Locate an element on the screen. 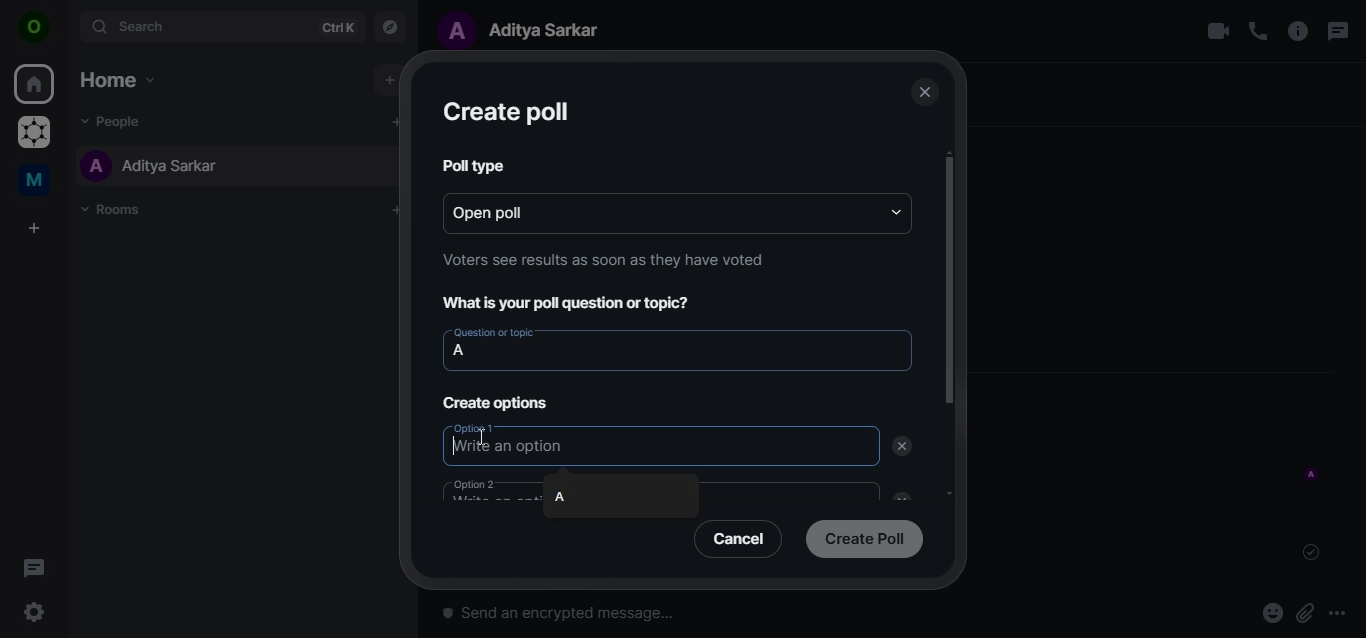 The height and width of the screenshot is (638, 1366). more options is located at coordinates (1344, 613).